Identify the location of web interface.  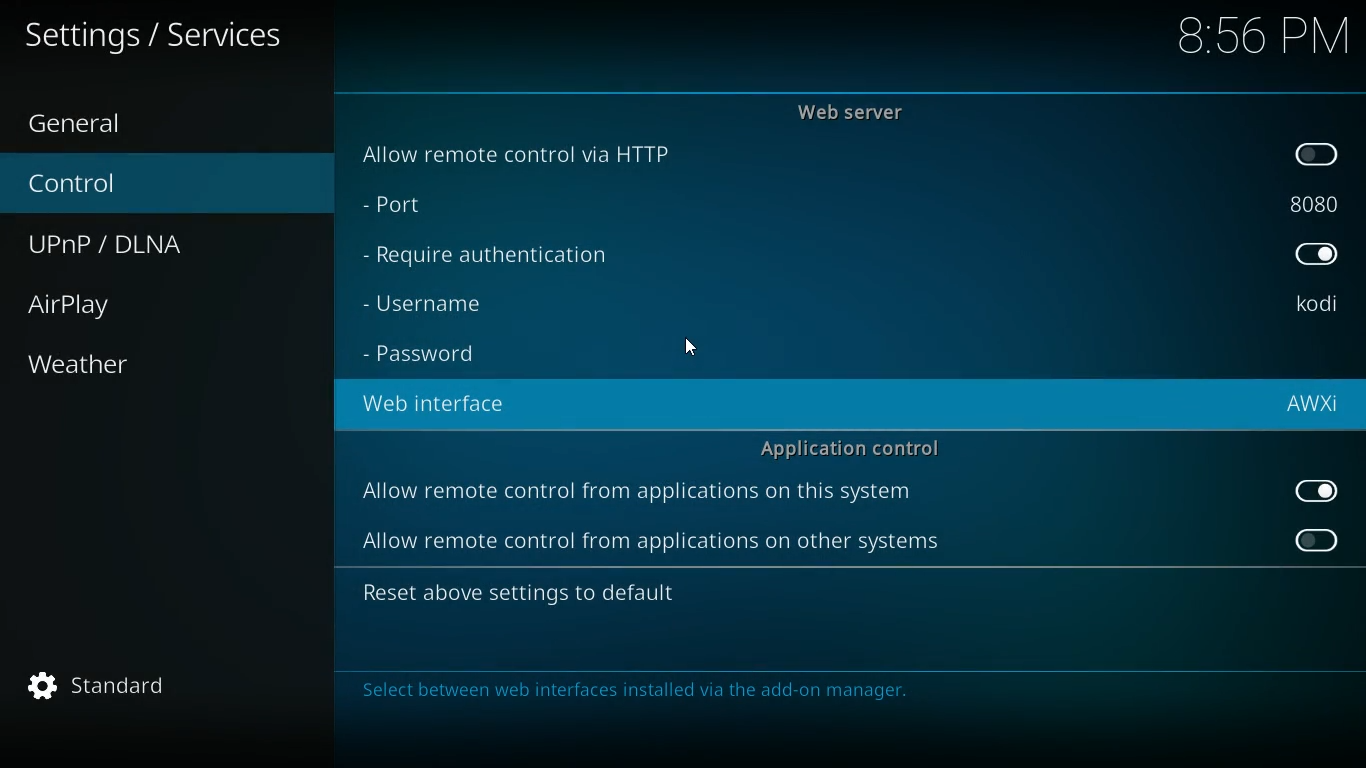
(1311, 406).